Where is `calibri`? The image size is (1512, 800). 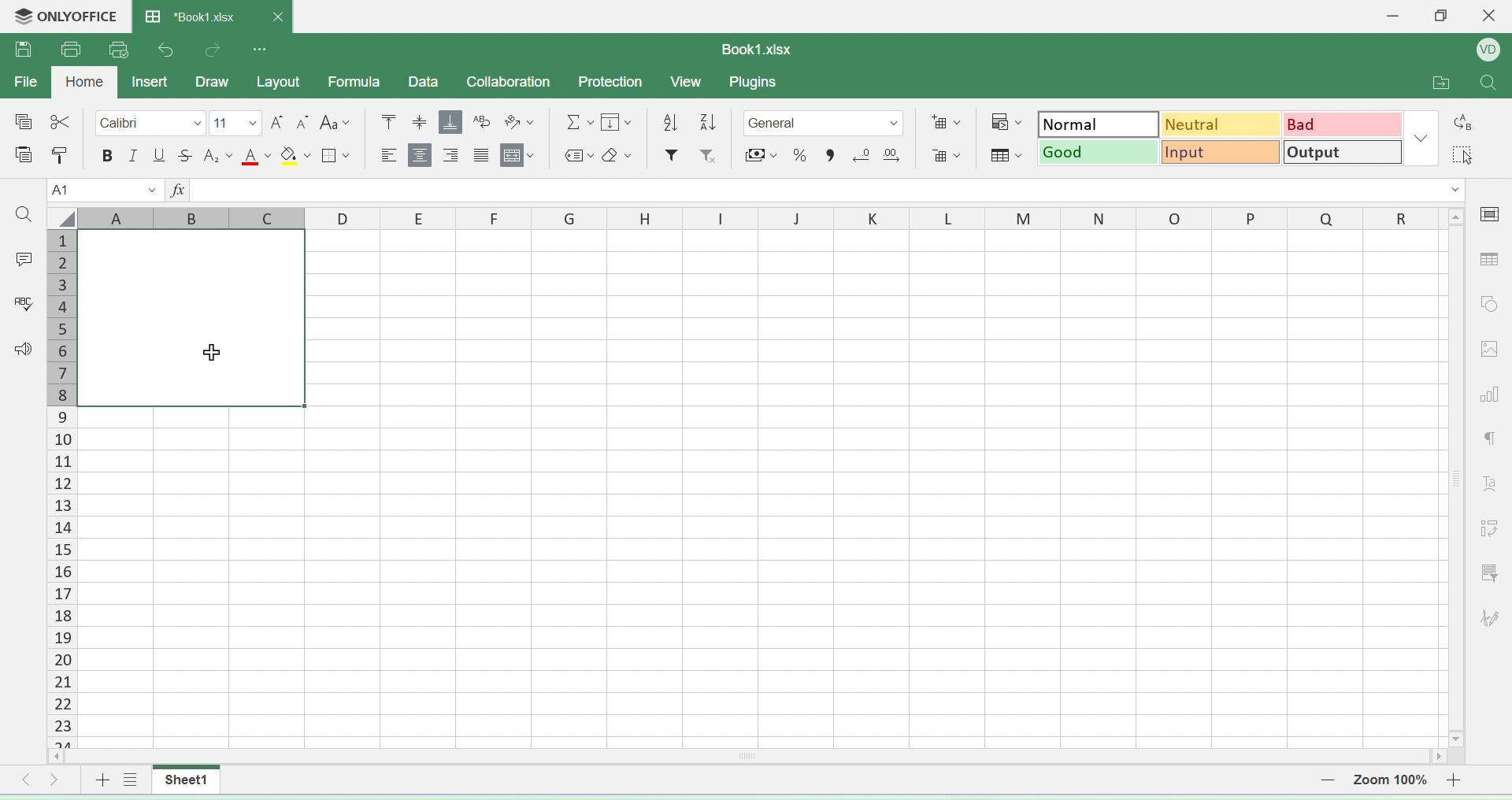
calibri is located at coordinates (152, 124).